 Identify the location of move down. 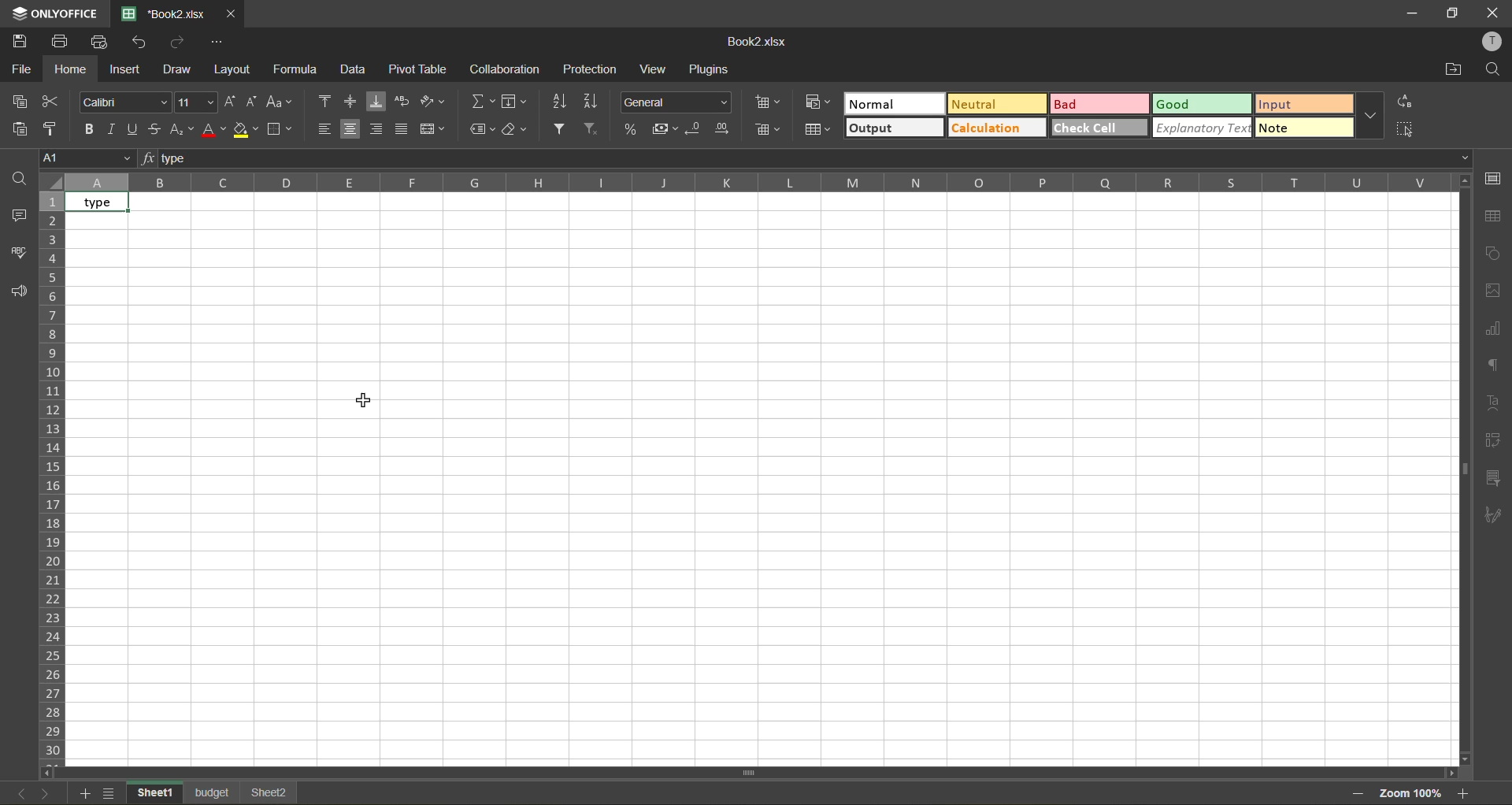
(1459, 755).